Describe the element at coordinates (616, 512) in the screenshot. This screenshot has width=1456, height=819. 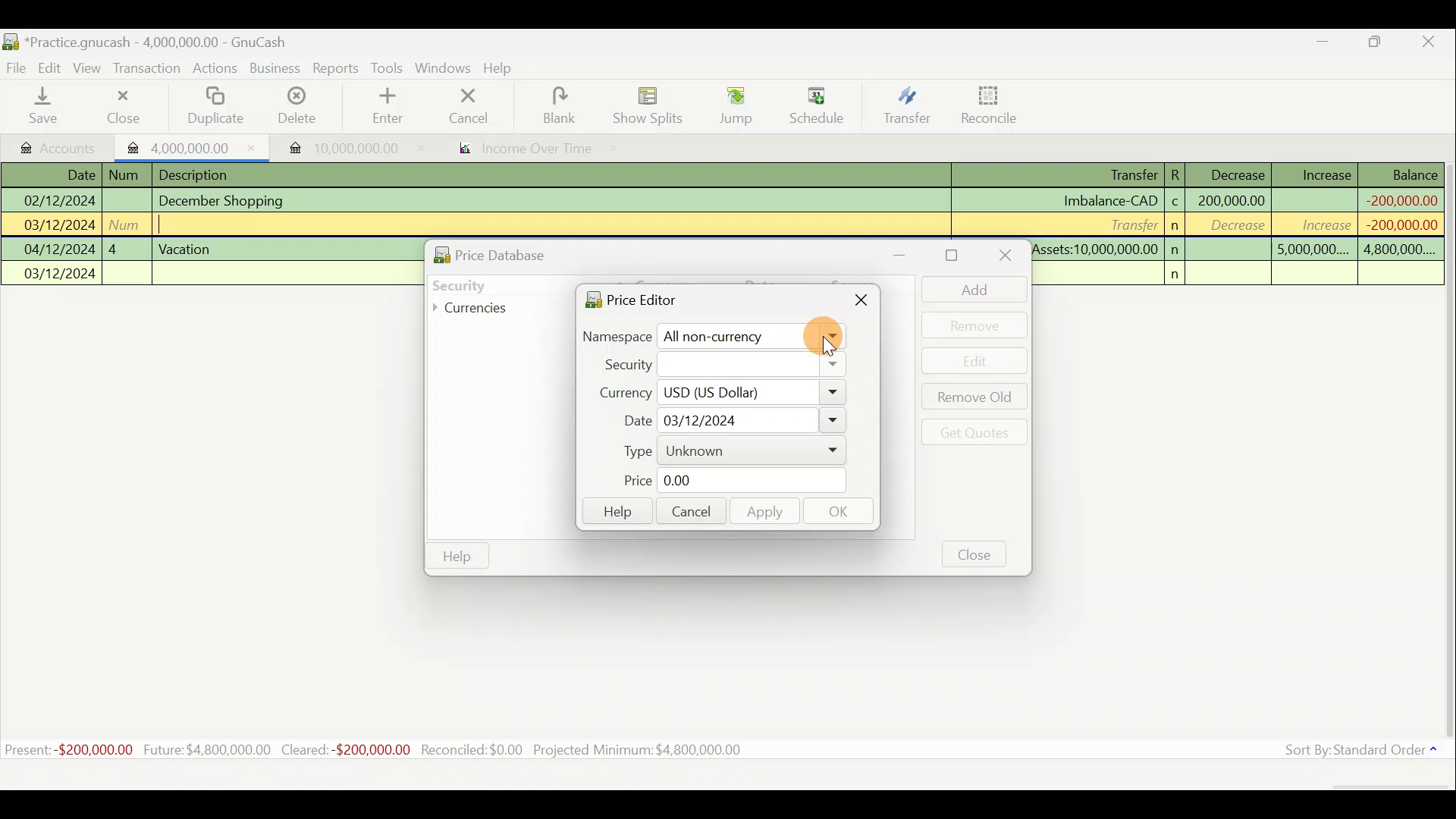
I see `Help` at that location.